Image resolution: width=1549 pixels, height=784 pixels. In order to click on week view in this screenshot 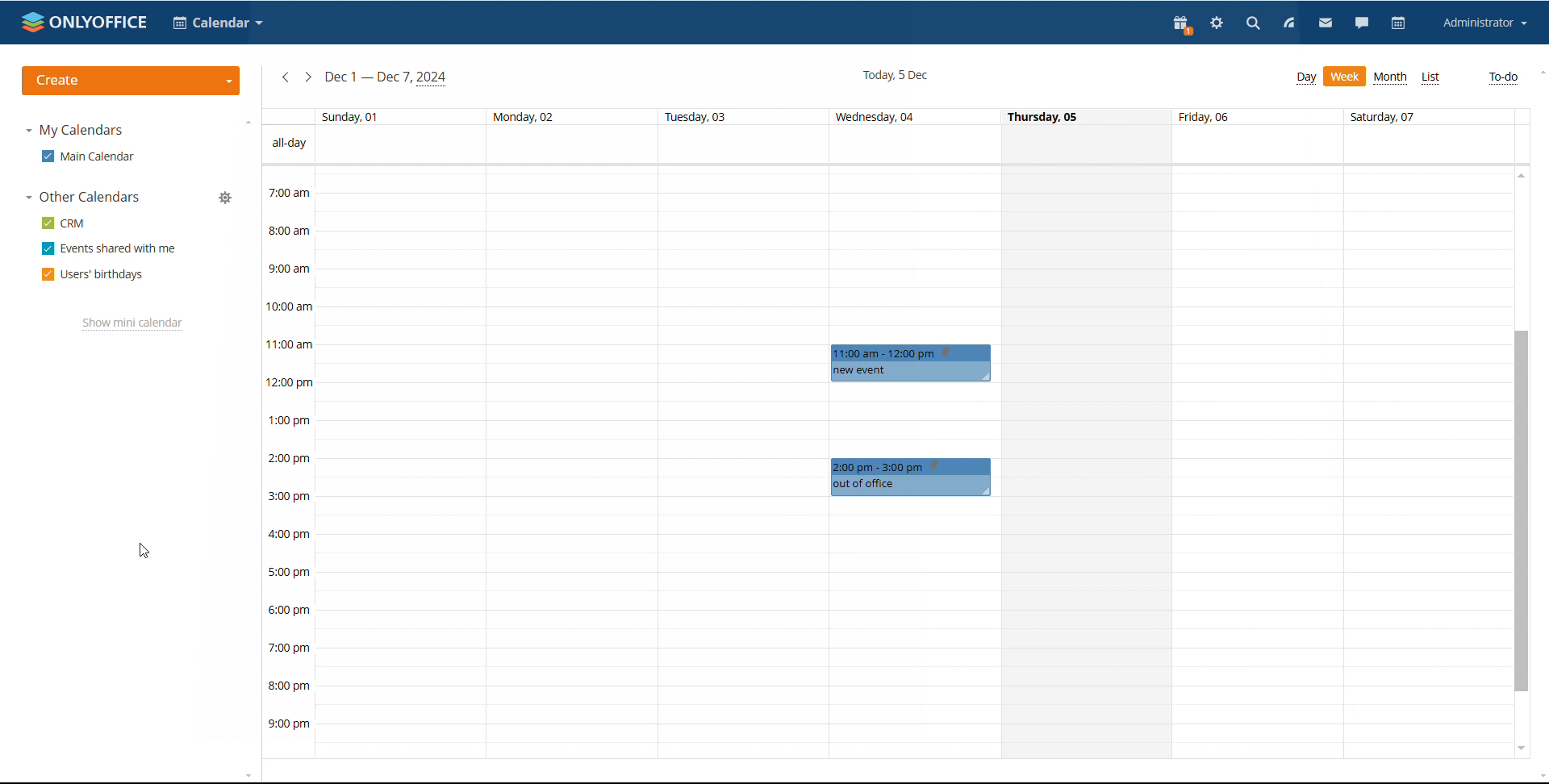, I will do `click(1346, 77)`.